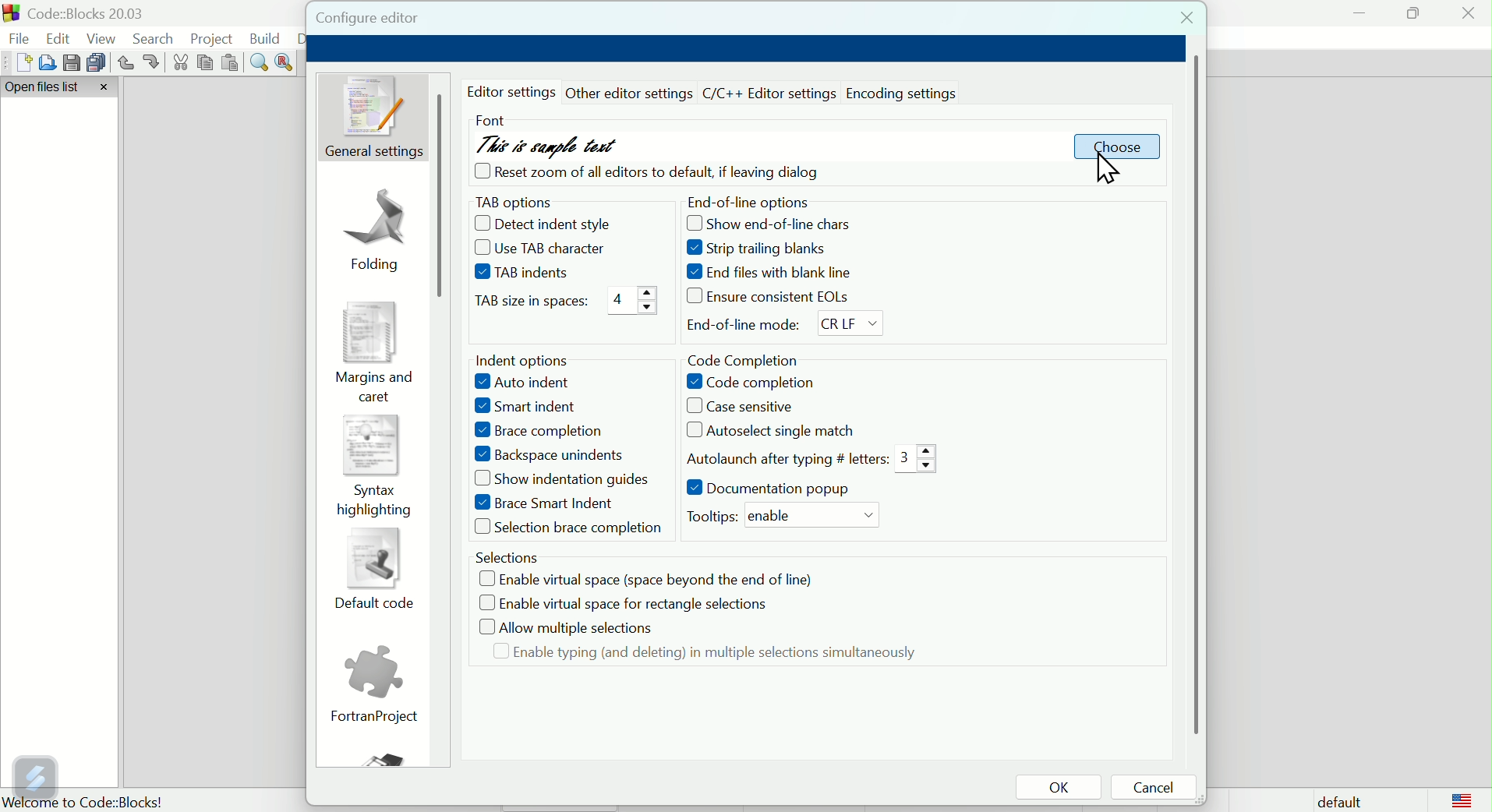  I want to click on Case sensitive, so click(746, 405).